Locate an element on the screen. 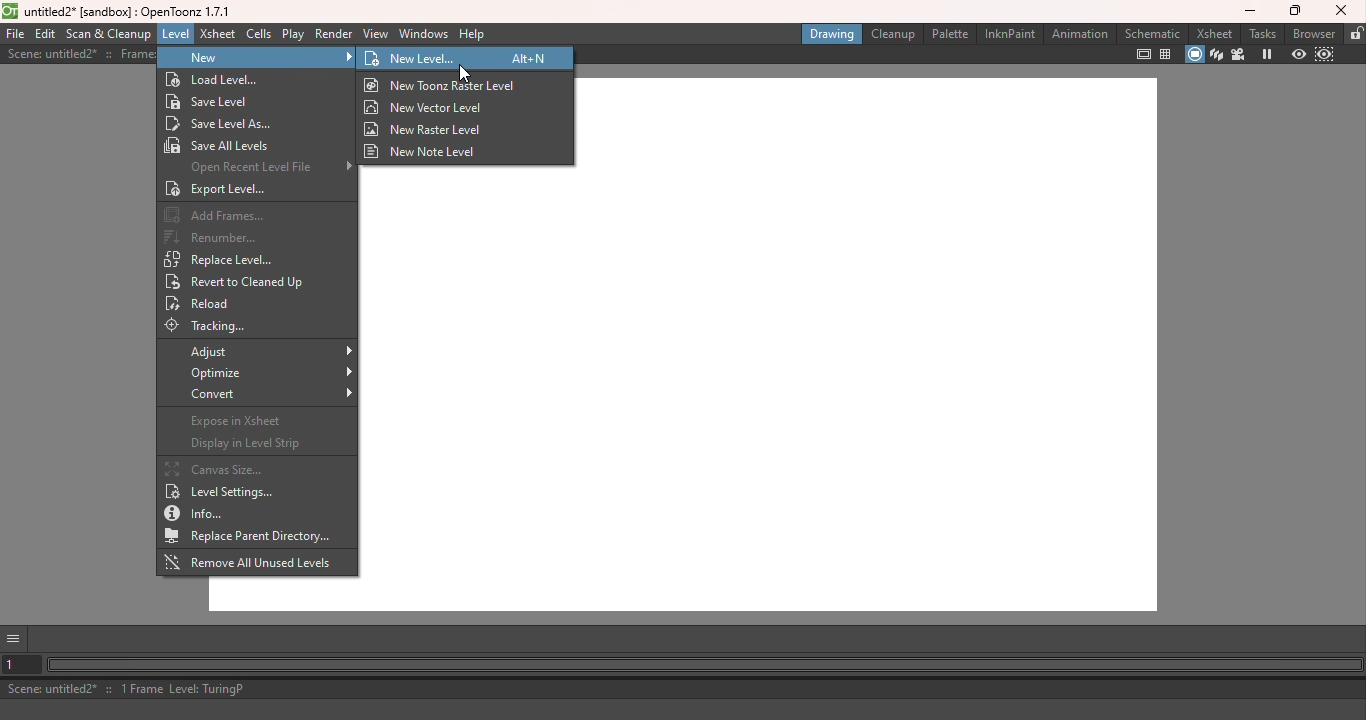  Convert is located at coordinates (268, 396).